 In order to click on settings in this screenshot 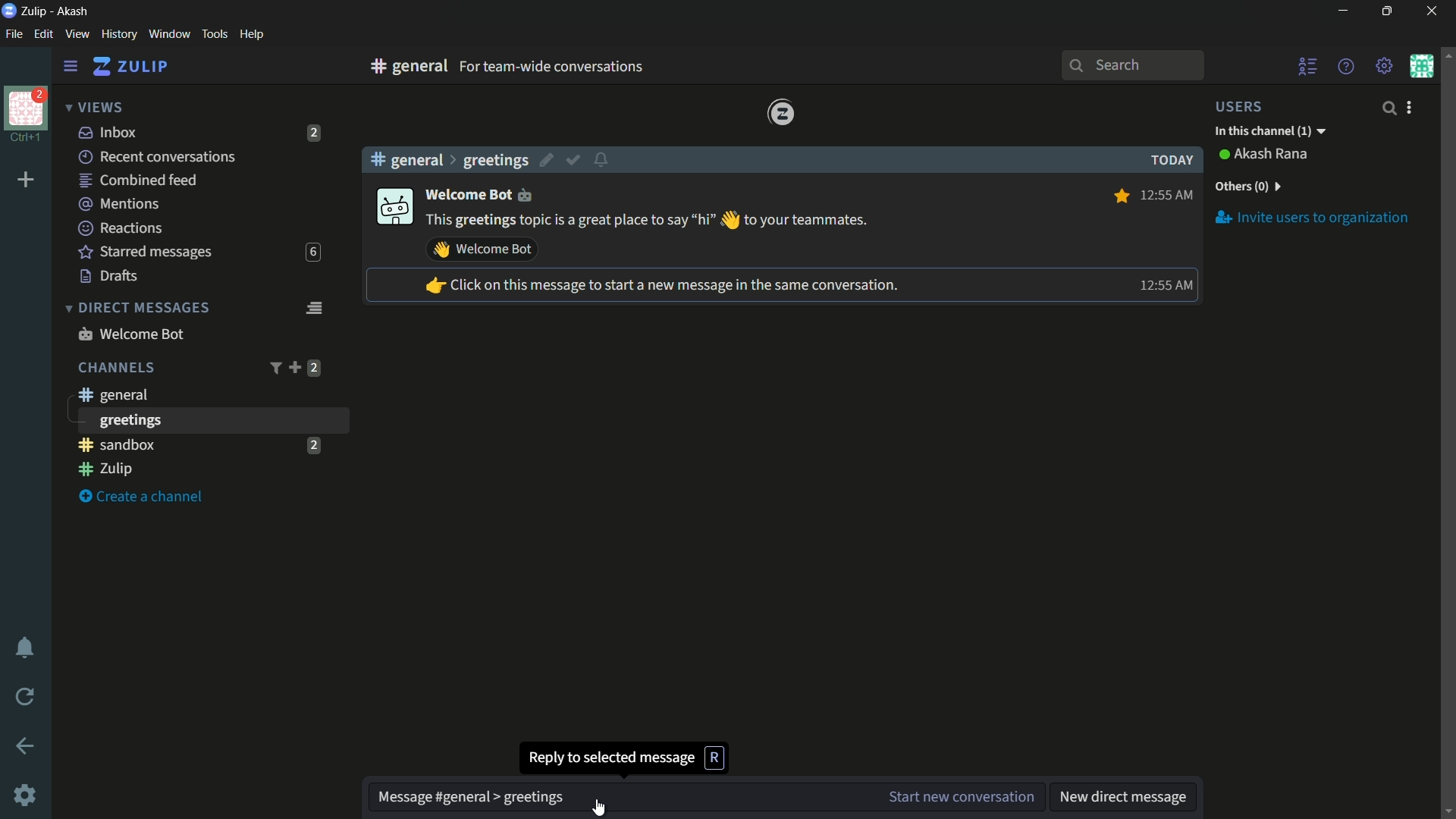, I will do `click(27, 797)`.